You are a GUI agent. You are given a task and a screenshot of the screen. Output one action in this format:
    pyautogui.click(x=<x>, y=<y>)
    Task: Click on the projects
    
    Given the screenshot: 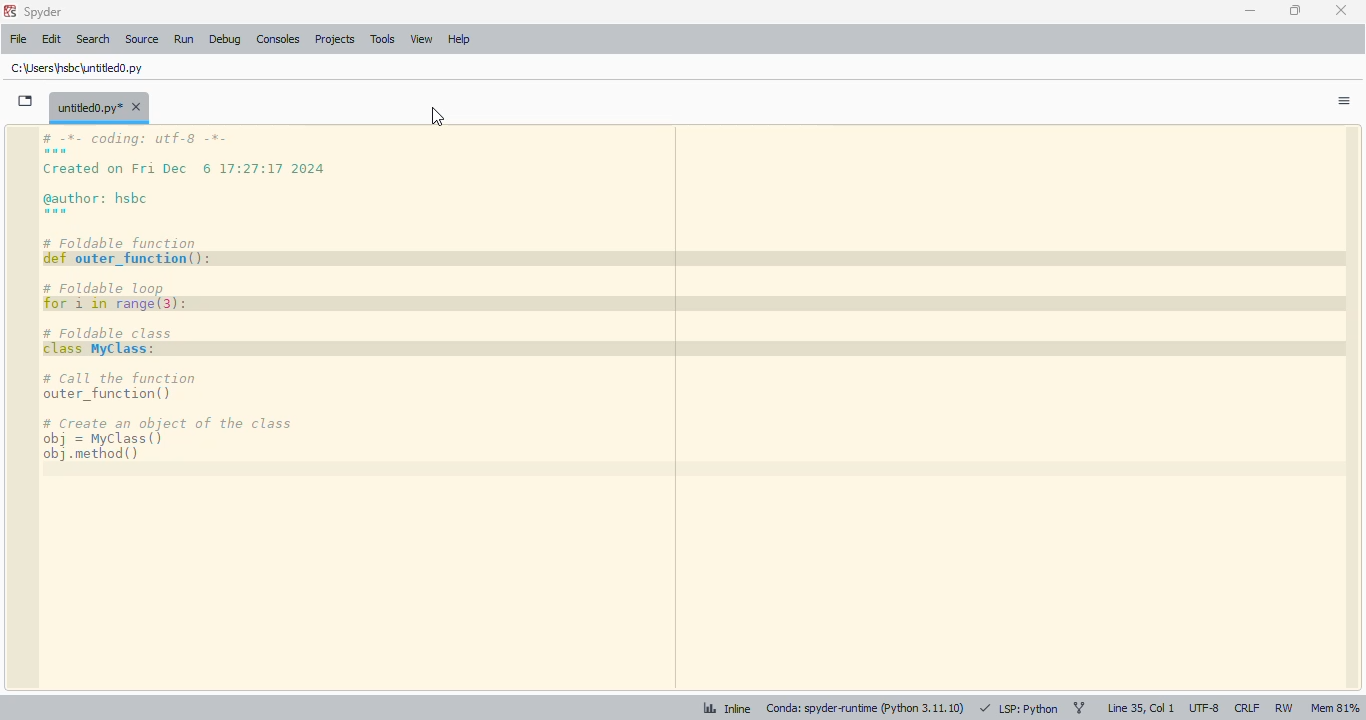 What is the action you would take?
    pyautogui.click(x=335, y=39)
    